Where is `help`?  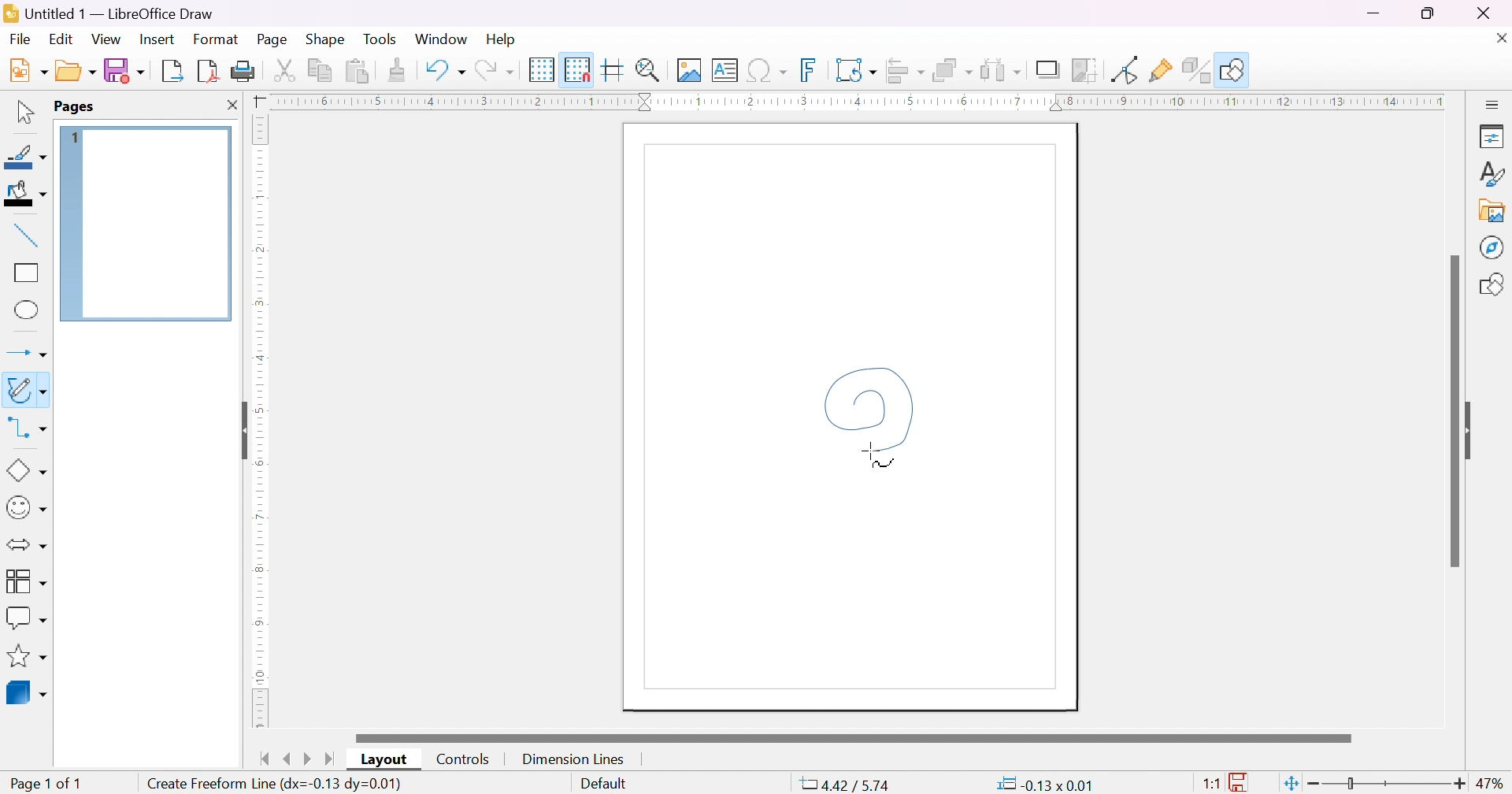
help is located at coordinates (501, 39).